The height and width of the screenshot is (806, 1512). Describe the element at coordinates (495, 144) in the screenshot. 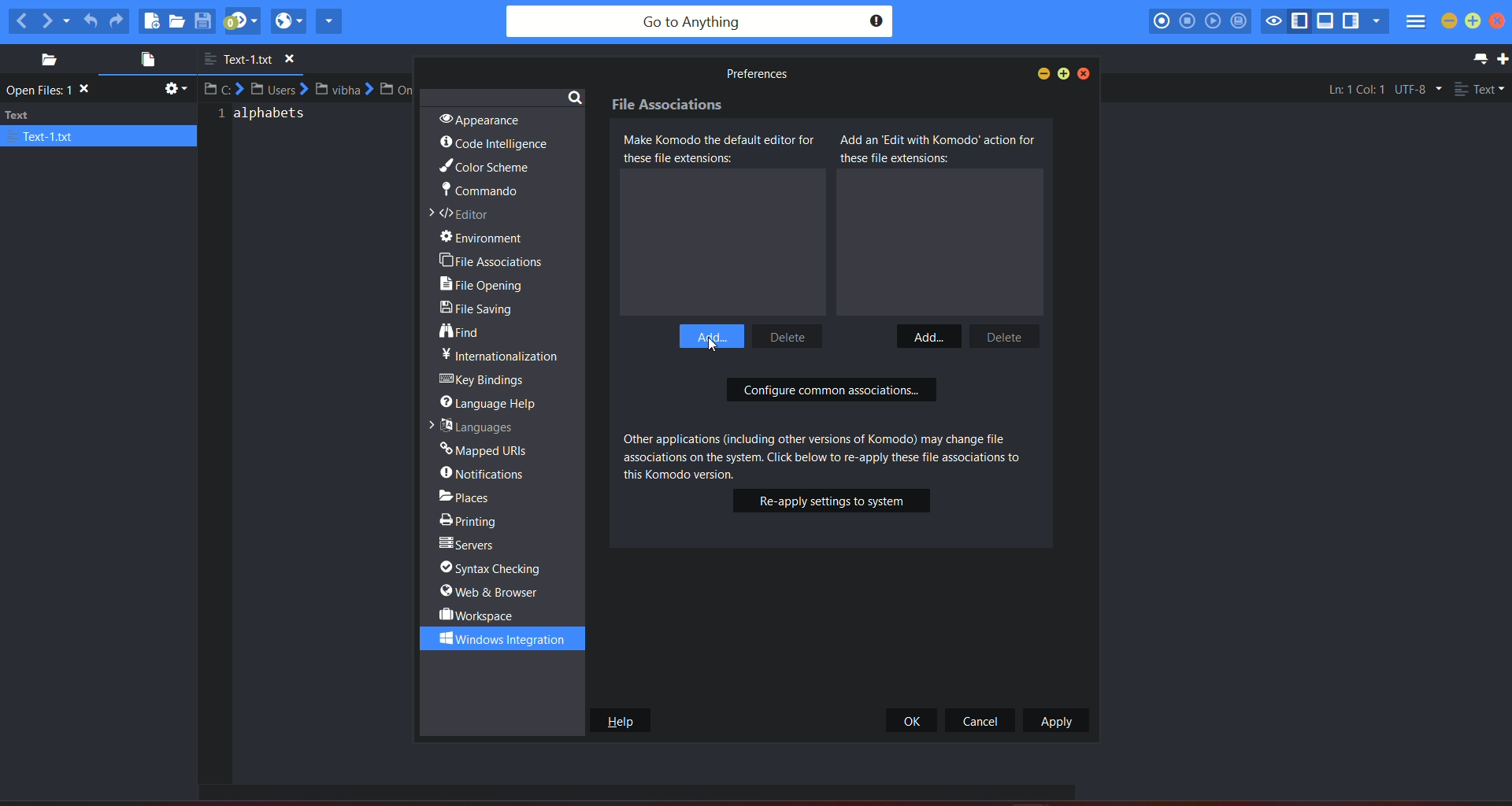

I see `code intelligence` at that location.